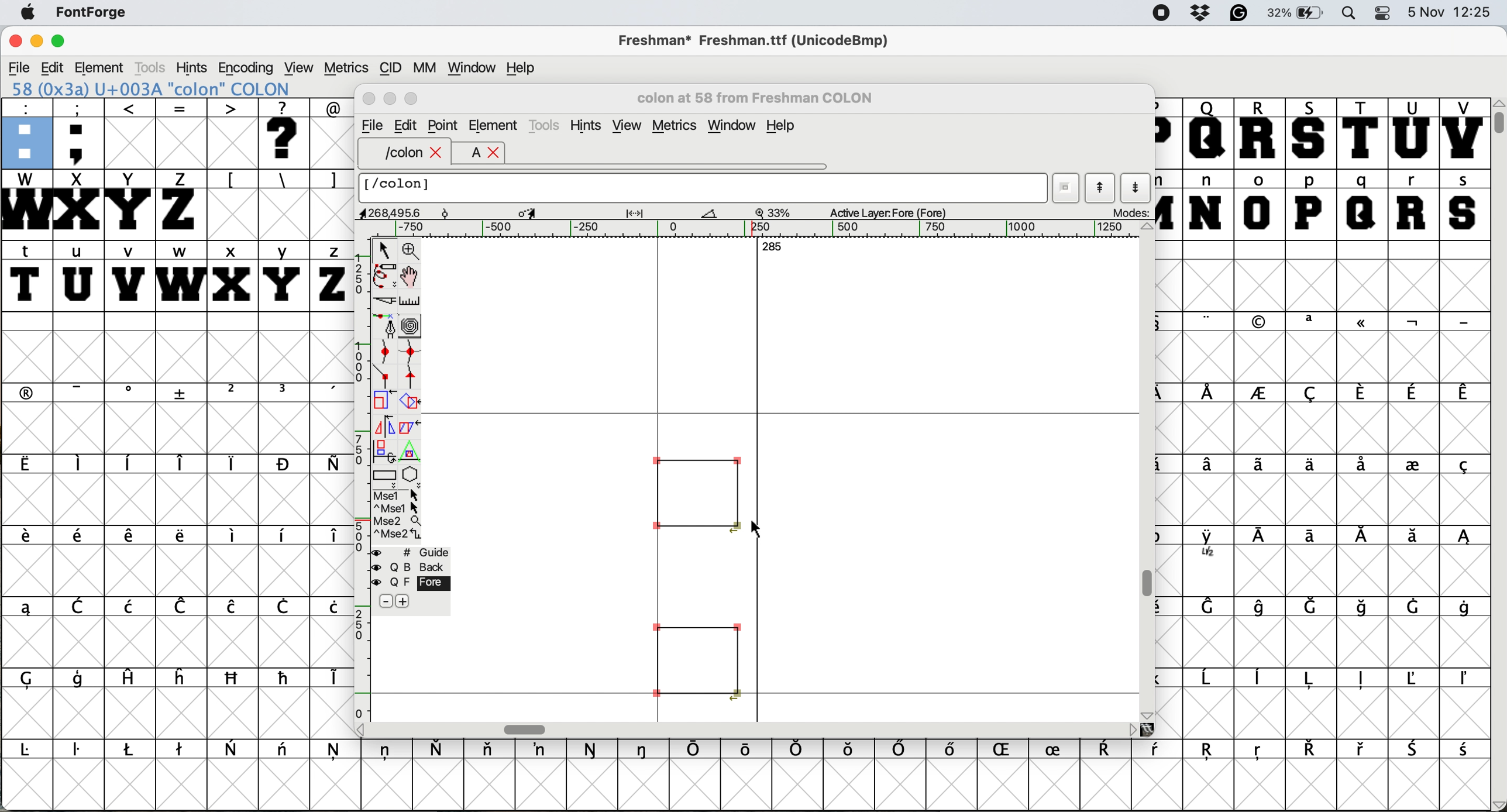  Describe the element at coordinates (1260, 204) in the screenshot. I see `o` at that location.